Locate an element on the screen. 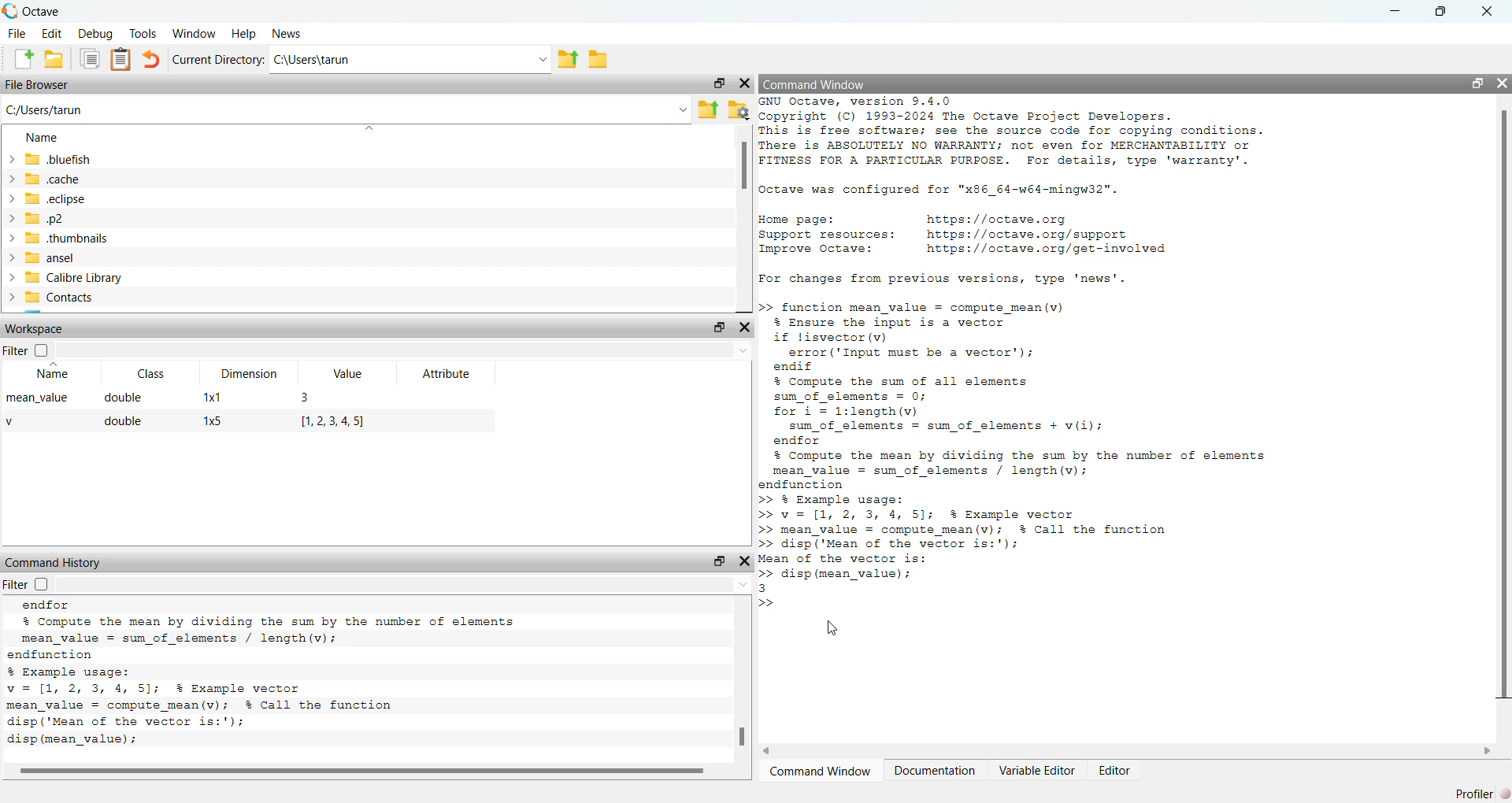 The height and width of the screenshot is (803, 1512). share folder is located at coordinates (567, 59).